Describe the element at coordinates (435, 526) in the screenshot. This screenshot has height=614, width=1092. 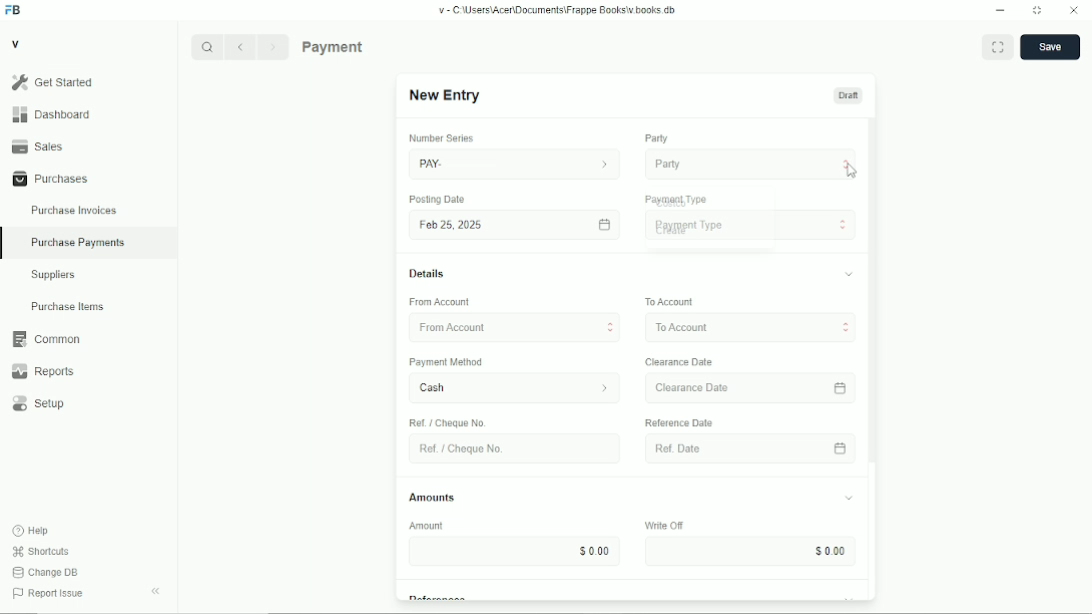
I see `Amount` at that location.